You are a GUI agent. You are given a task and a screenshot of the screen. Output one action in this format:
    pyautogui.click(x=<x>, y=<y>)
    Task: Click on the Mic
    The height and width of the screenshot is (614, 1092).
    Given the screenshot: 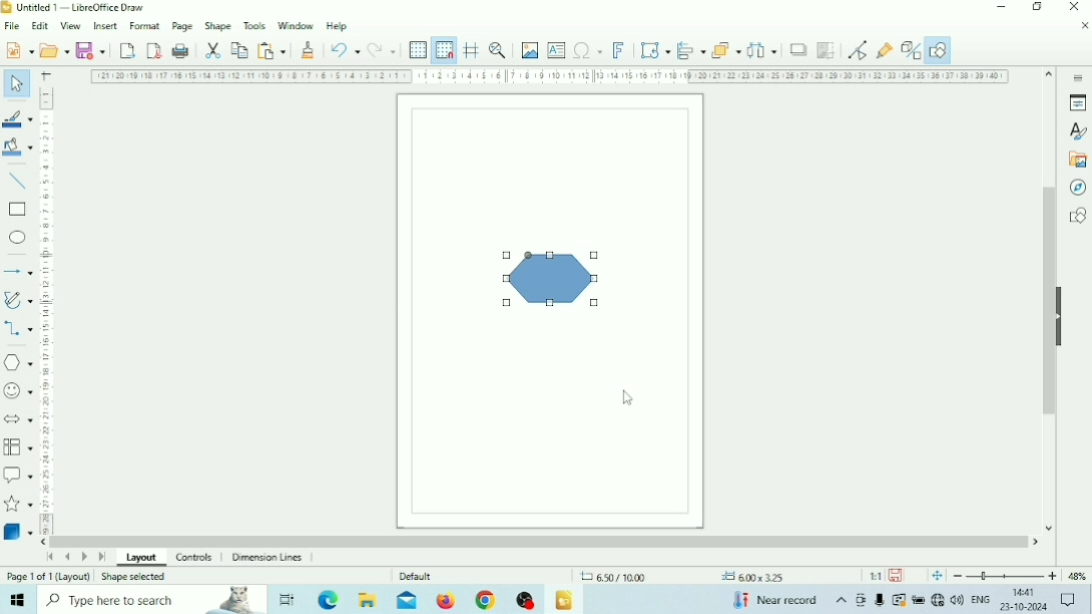 What is the action you would take?
    pyautogui.click(x=880, y=600)
    